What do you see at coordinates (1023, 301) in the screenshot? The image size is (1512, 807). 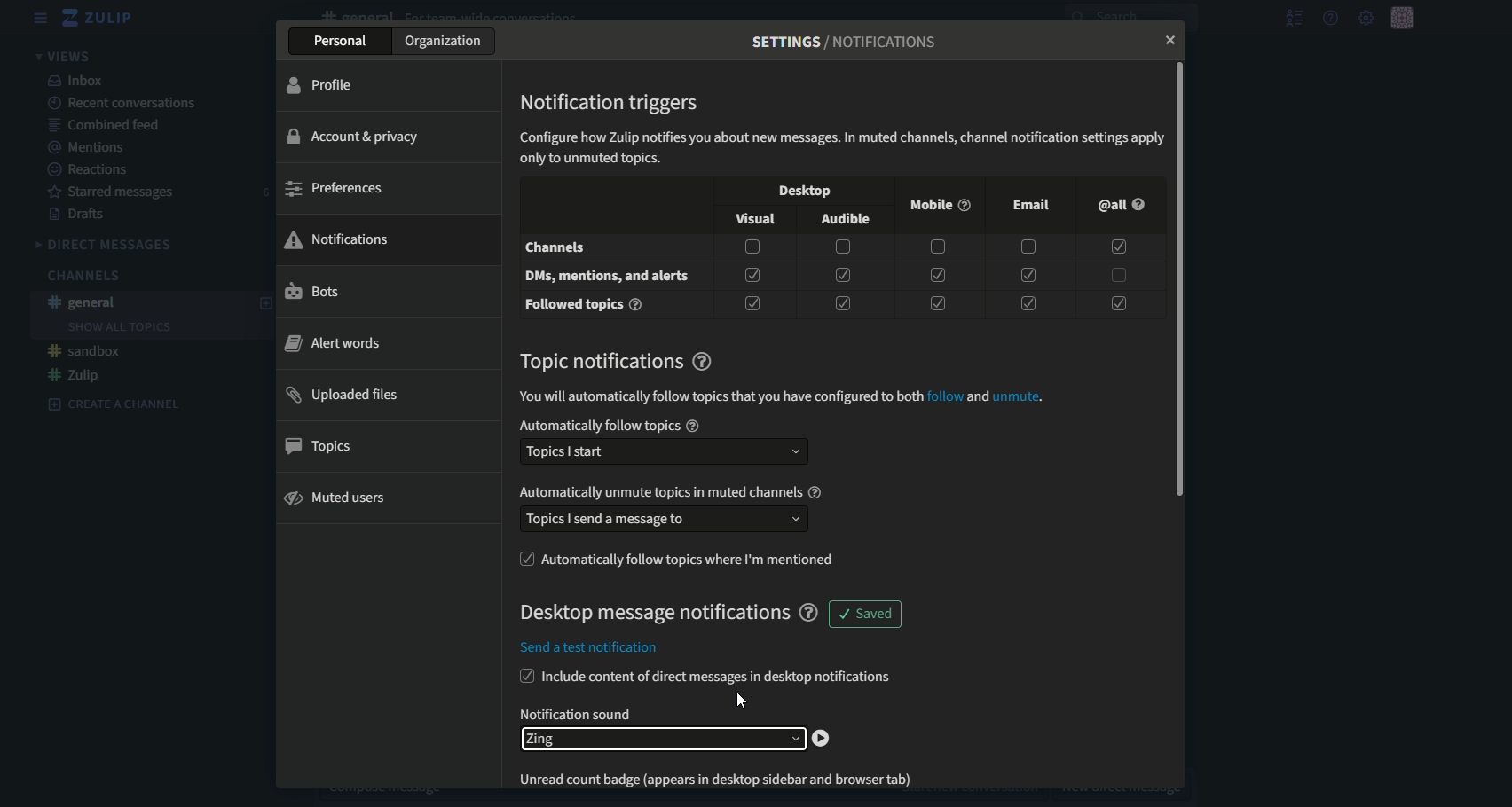 I see `checkbox` at bounding box center [1023, 301].